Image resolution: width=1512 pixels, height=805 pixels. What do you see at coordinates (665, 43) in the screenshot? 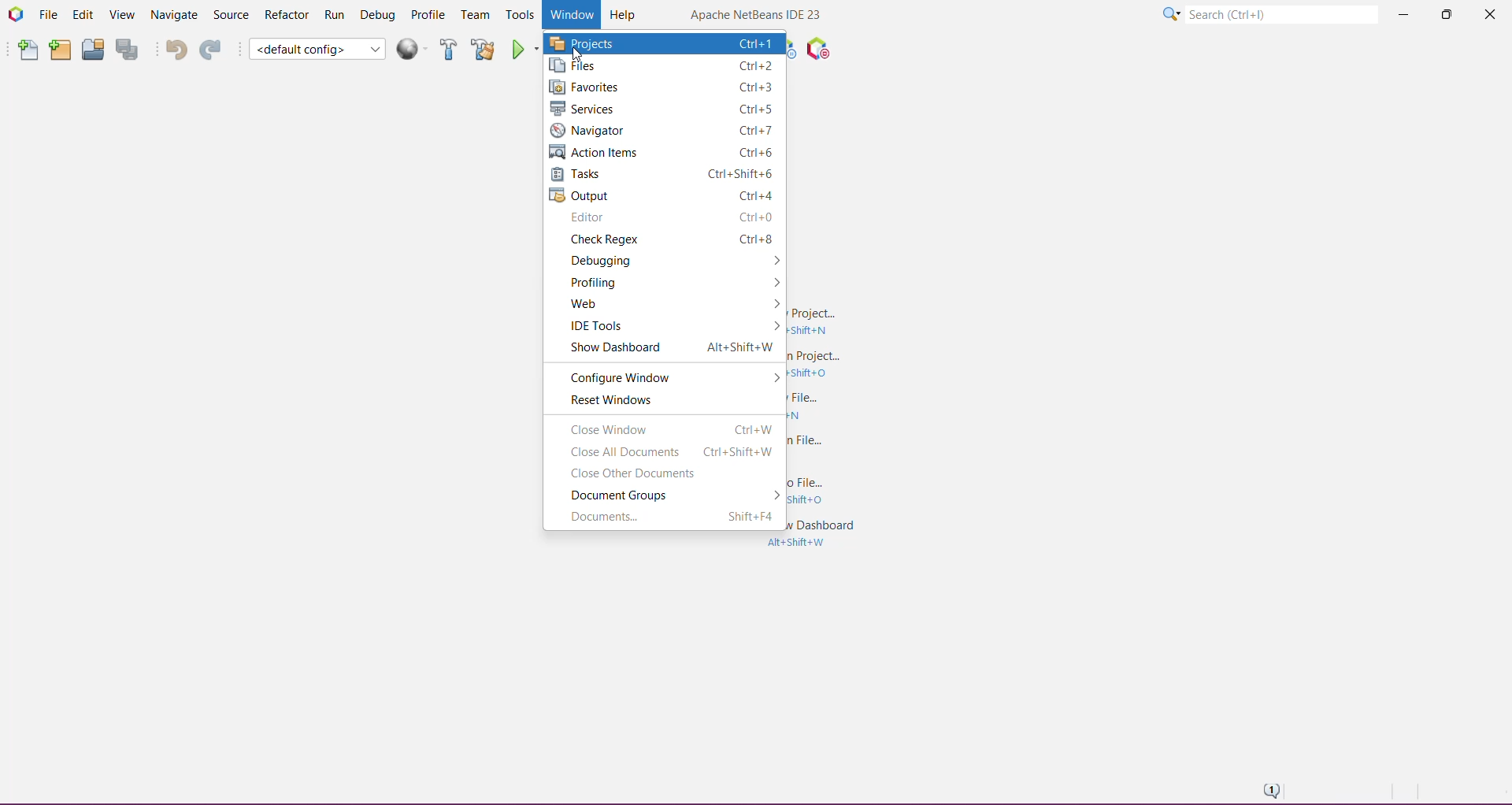
I see `Projects` at bounding box center [665, 43].